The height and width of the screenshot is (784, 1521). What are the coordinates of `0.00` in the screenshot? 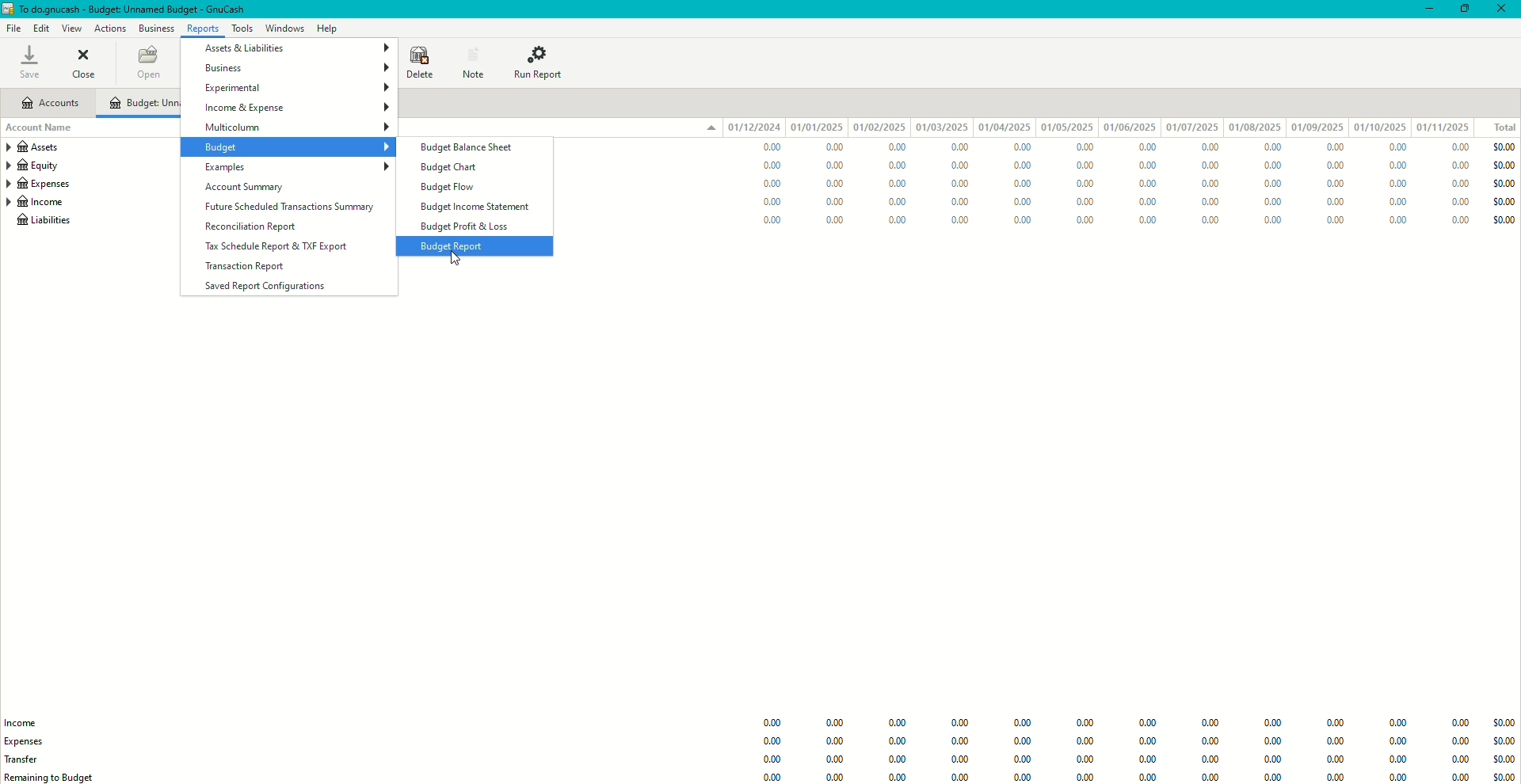 It's located at (770, 222).